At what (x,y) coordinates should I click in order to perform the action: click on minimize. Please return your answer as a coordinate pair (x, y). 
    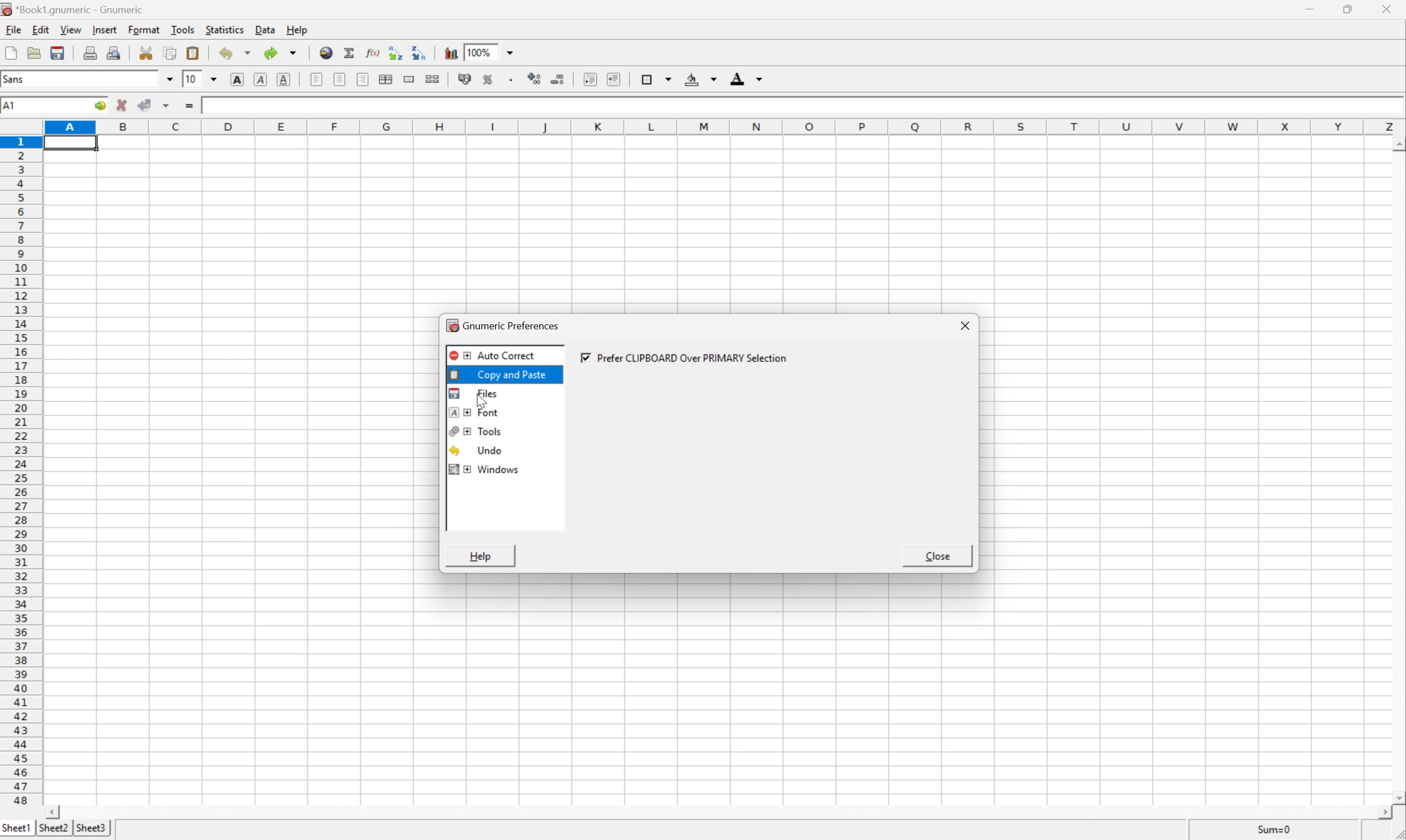
    Looking at the image, I should click on (1311, 10).